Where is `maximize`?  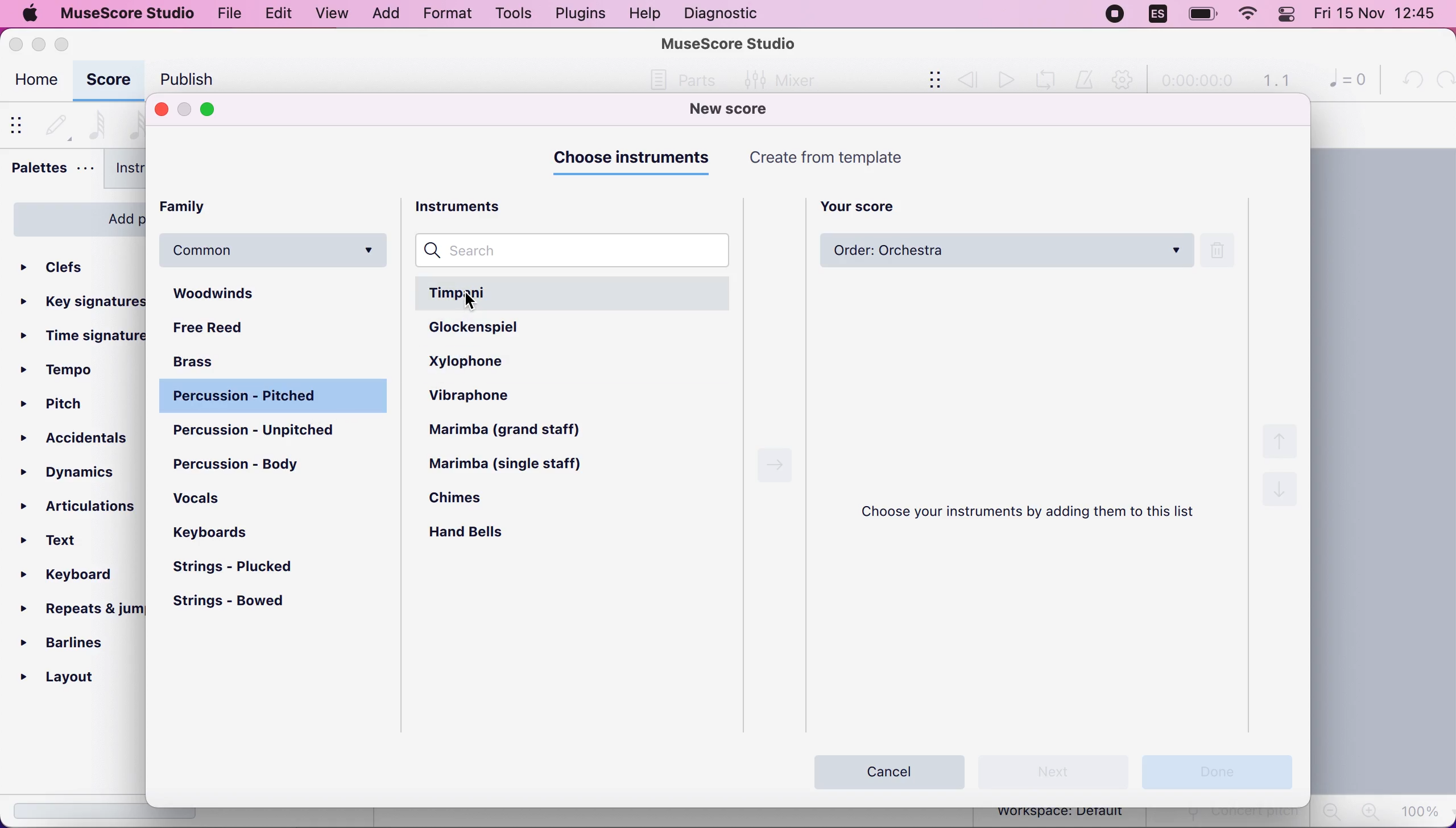
maximize is located at coordinates (216, 110).